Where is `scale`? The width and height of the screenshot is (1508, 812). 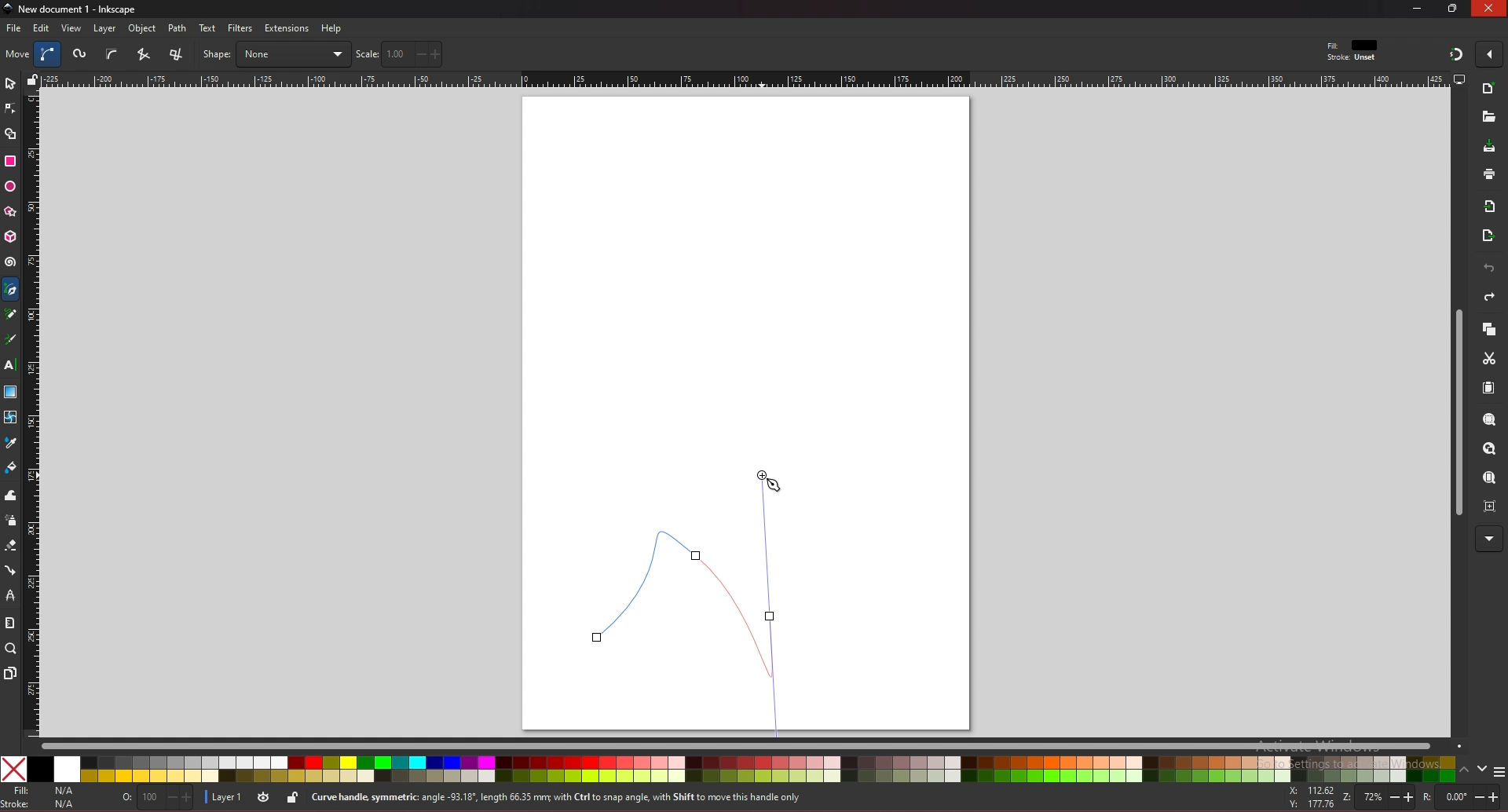
scale is located at coordinates (399, 53).